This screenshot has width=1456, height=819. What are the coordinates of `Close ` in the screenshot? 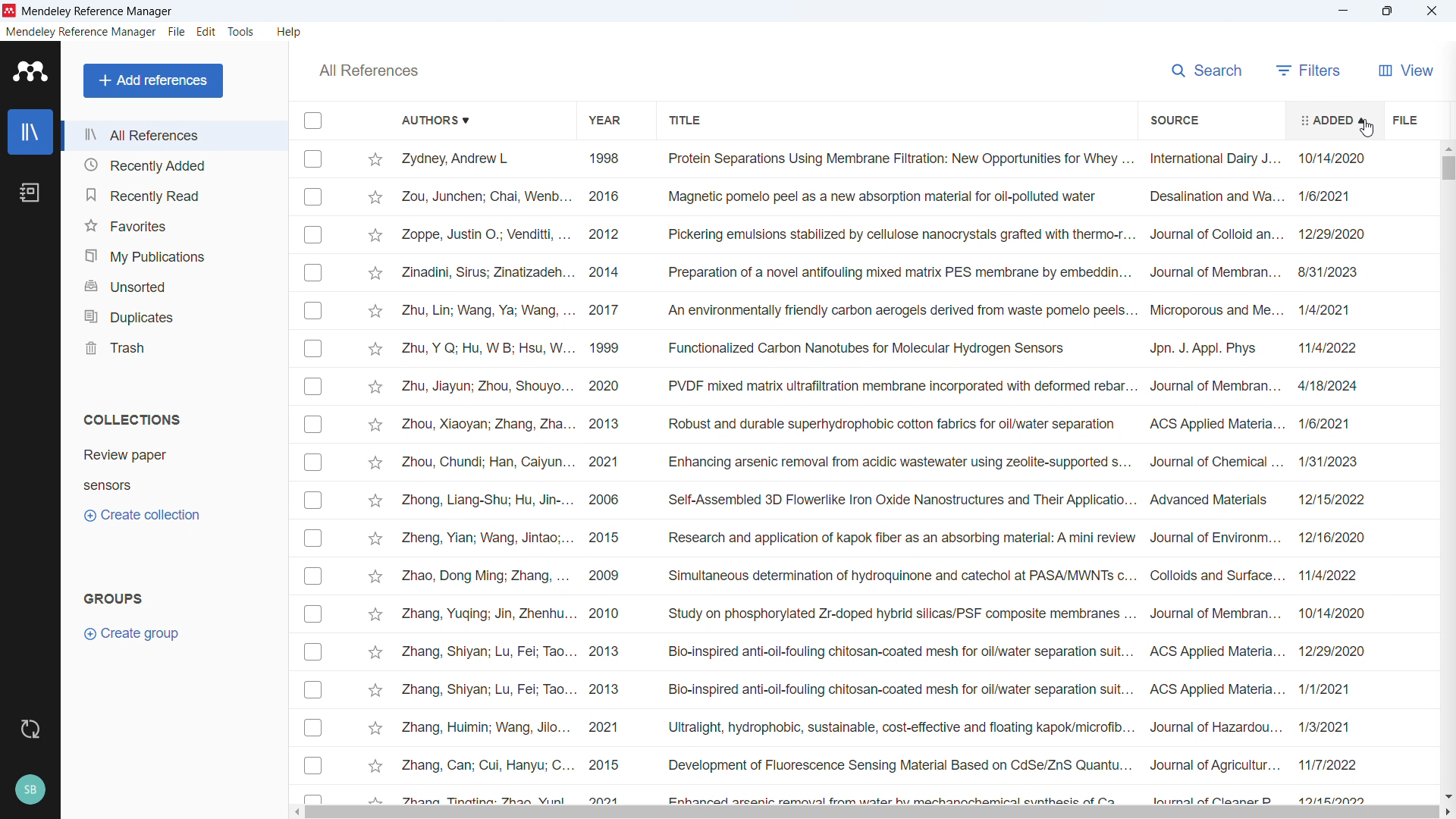 It's located at (1431, 11).